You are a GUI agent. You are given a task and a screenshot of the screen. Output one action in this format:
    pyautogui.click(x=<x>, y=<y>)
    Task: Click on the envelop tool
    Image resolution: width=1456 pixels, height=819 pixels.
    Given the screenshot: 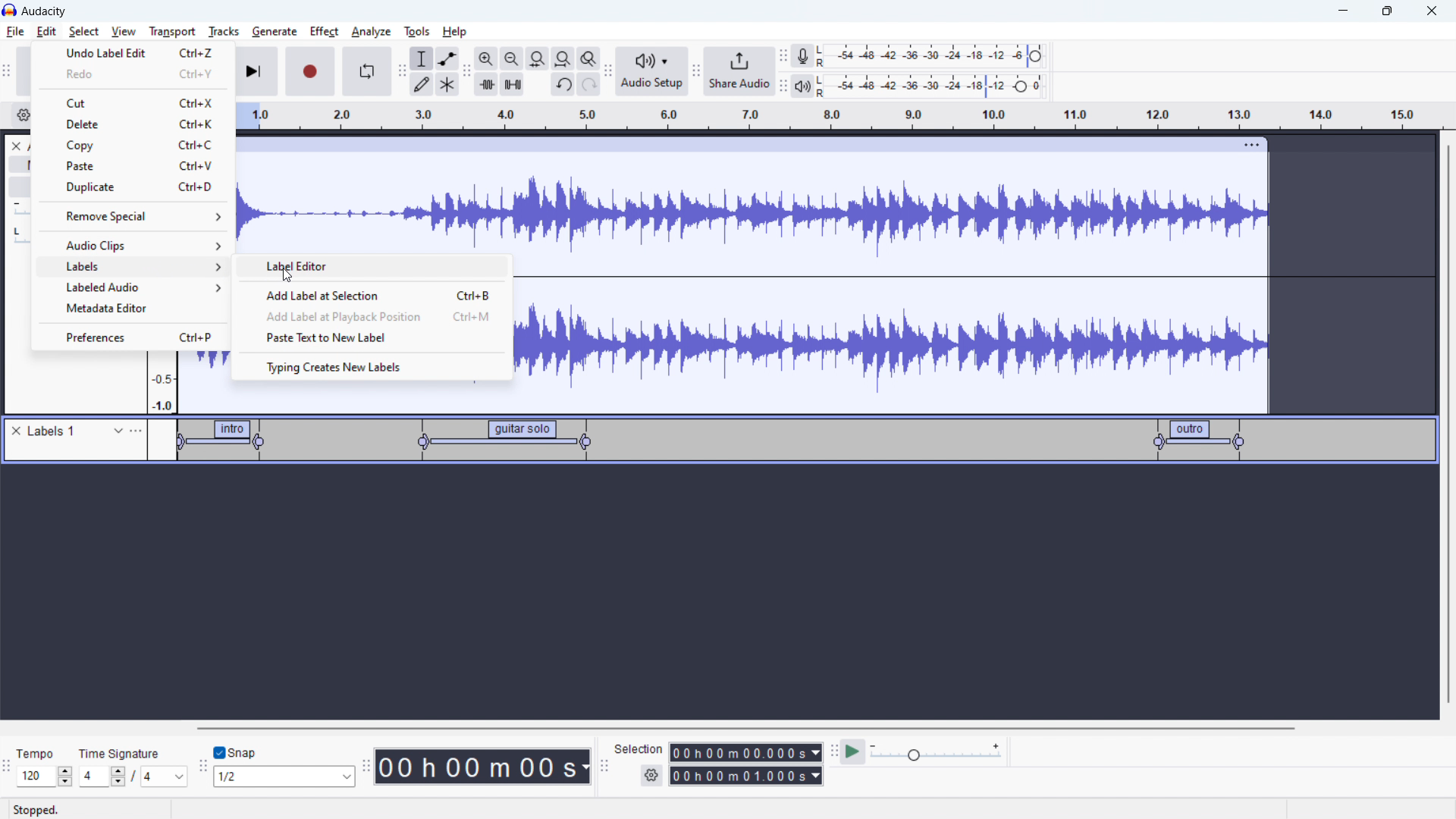 What is the action you would take?
    pyautogui.click(x=447, y=58)
    